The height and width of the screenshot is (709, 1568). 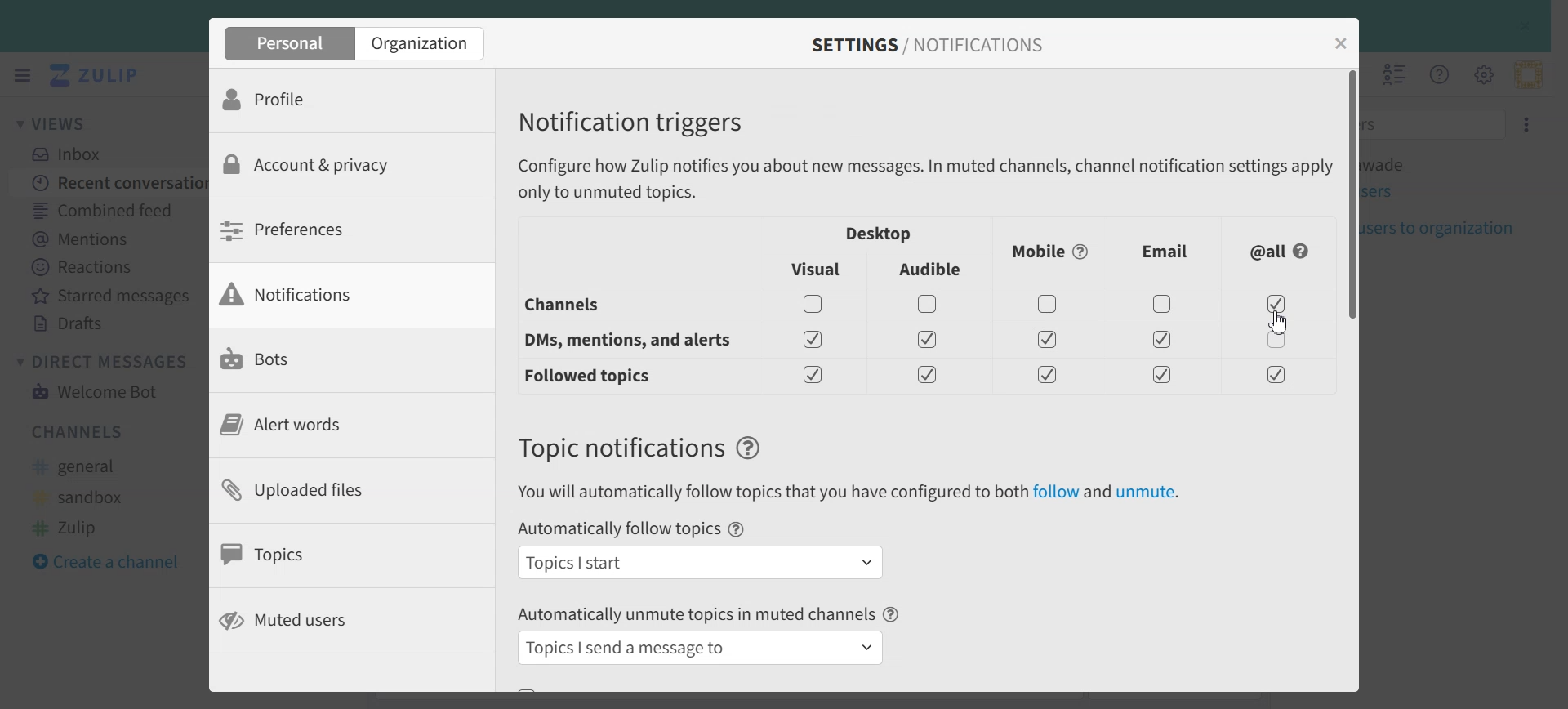 What do you see at coordinates (817, 270) in the screenshot?
I see `Visual` at bounding box center [817, 270].